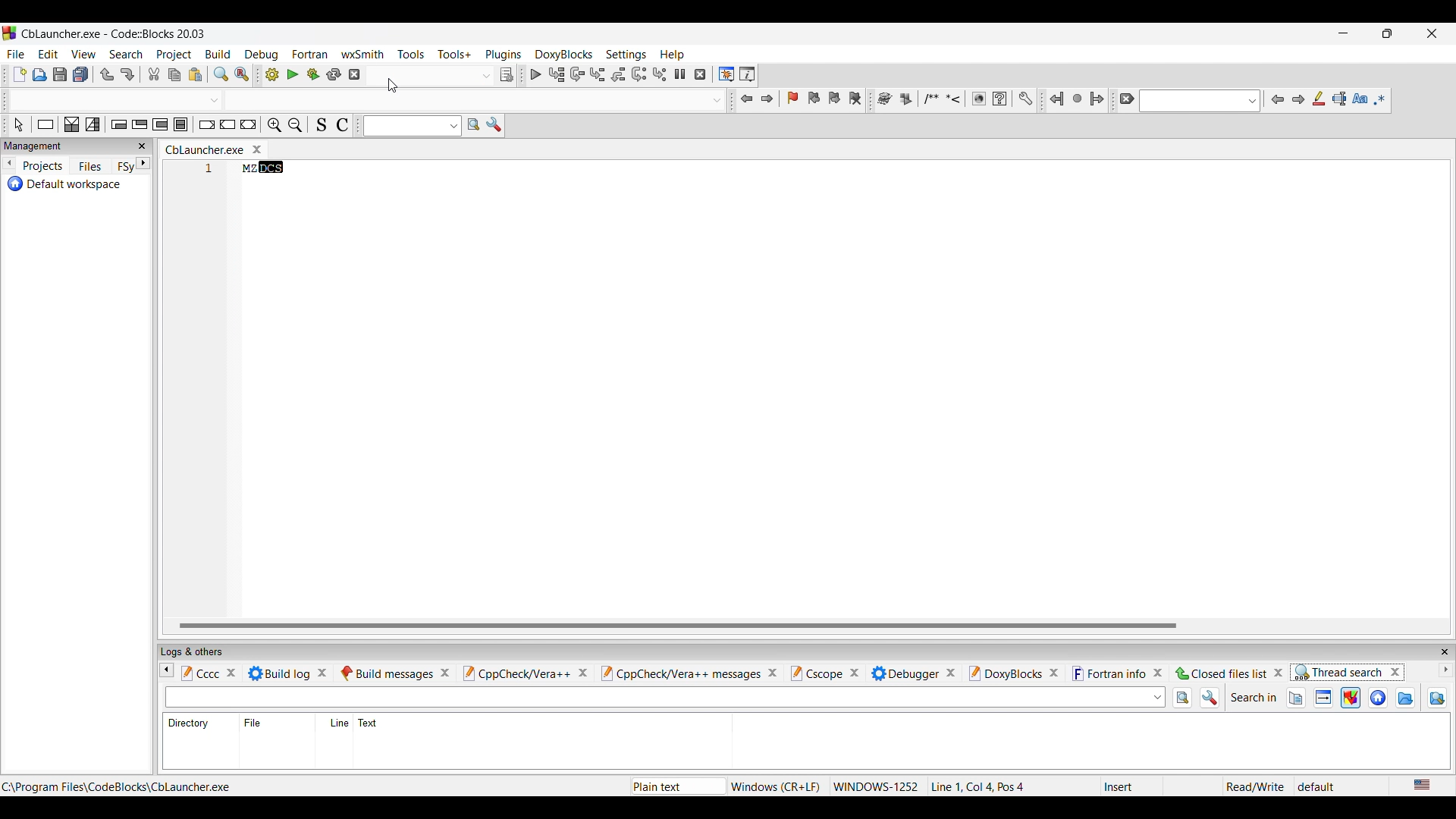  What do you see at coordinates (1254, 697) in the screenshot?
I see `Indicates search in options` at bounding box center [1254, 697].